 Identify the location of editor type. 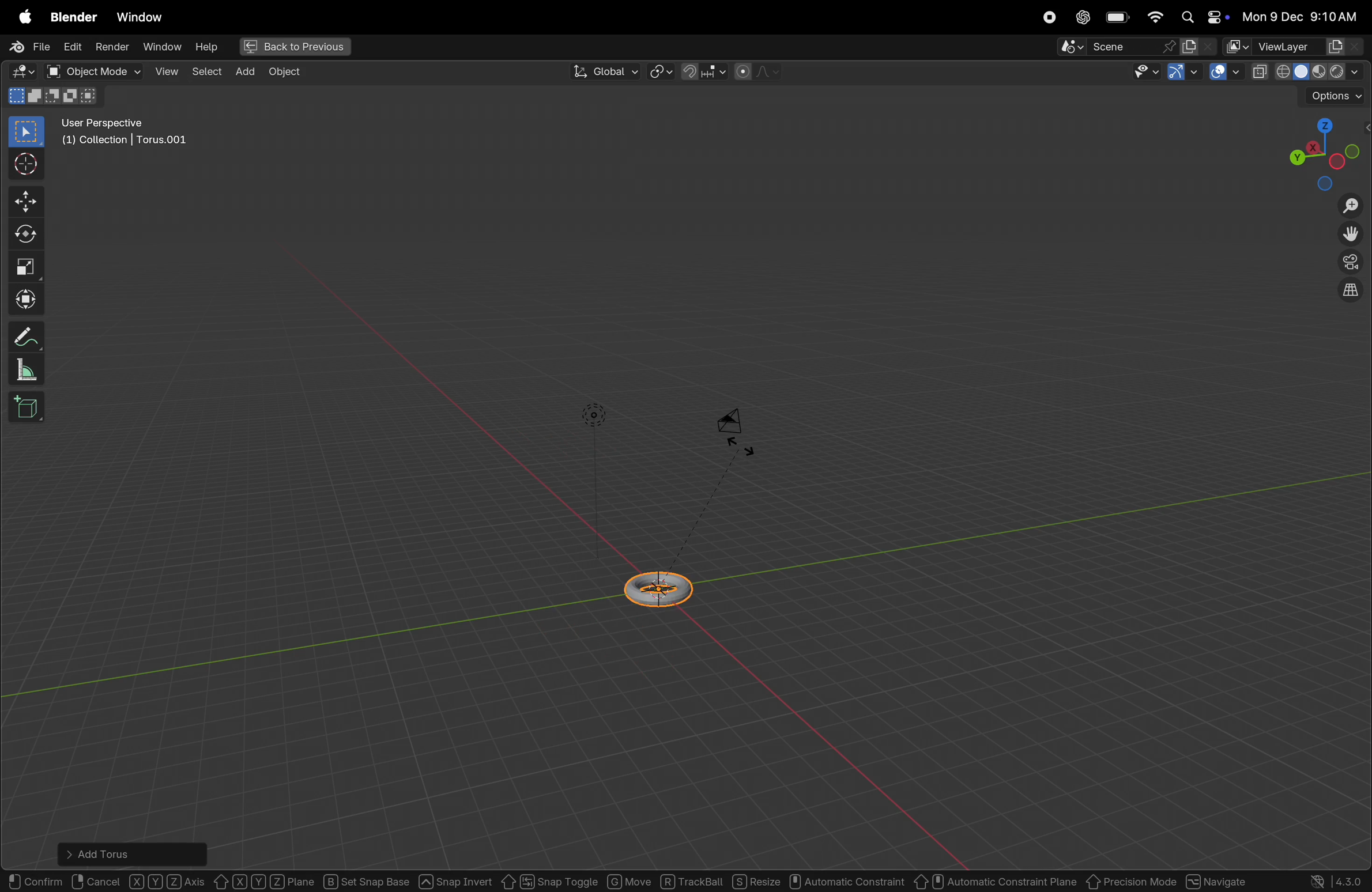
(18, 73).